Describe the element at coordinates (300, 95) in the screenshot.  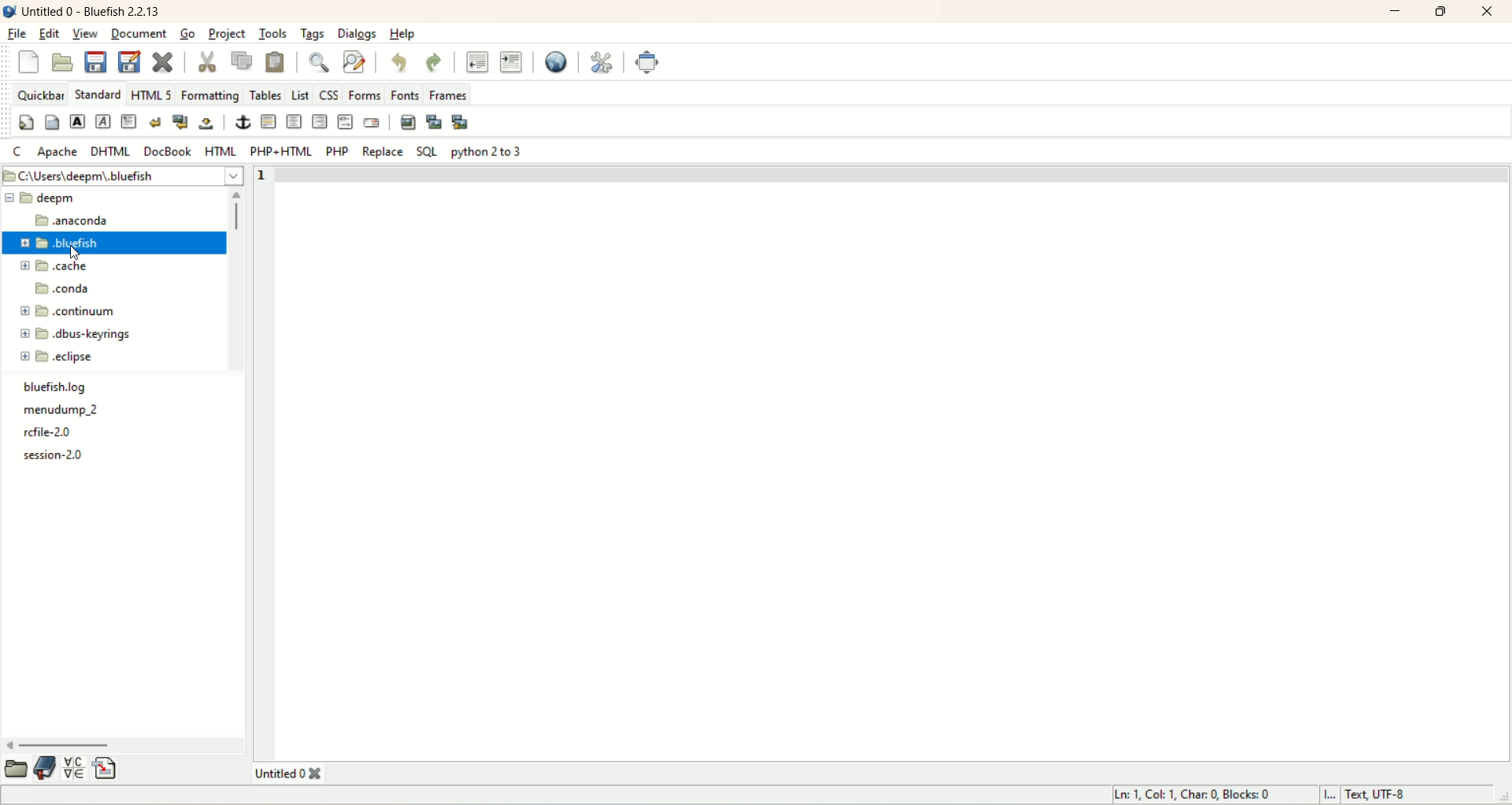
I see `List` at that location.